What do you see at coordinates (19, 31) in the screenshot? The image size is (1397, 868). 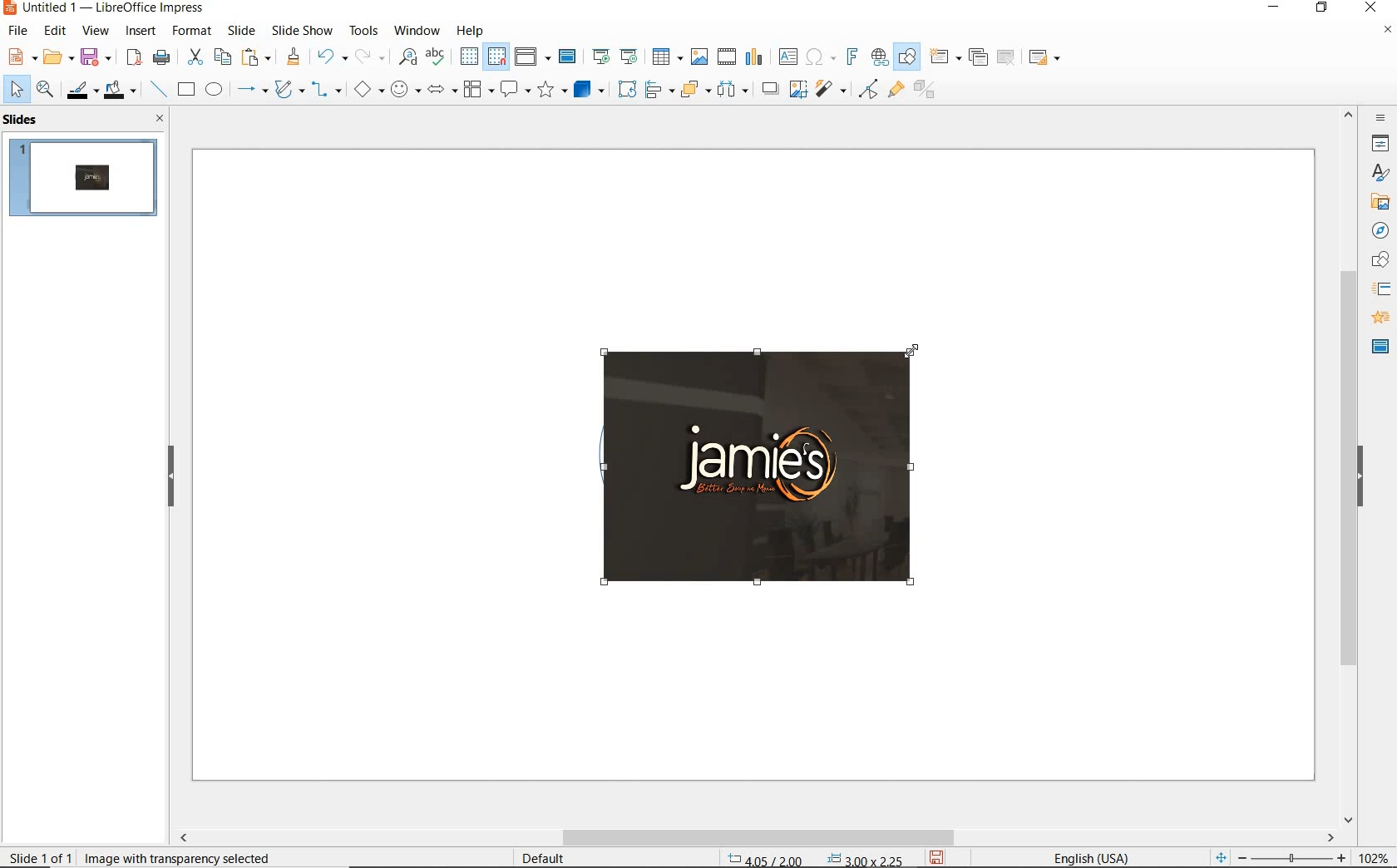 I see `file` at bounding box center [19, 31].